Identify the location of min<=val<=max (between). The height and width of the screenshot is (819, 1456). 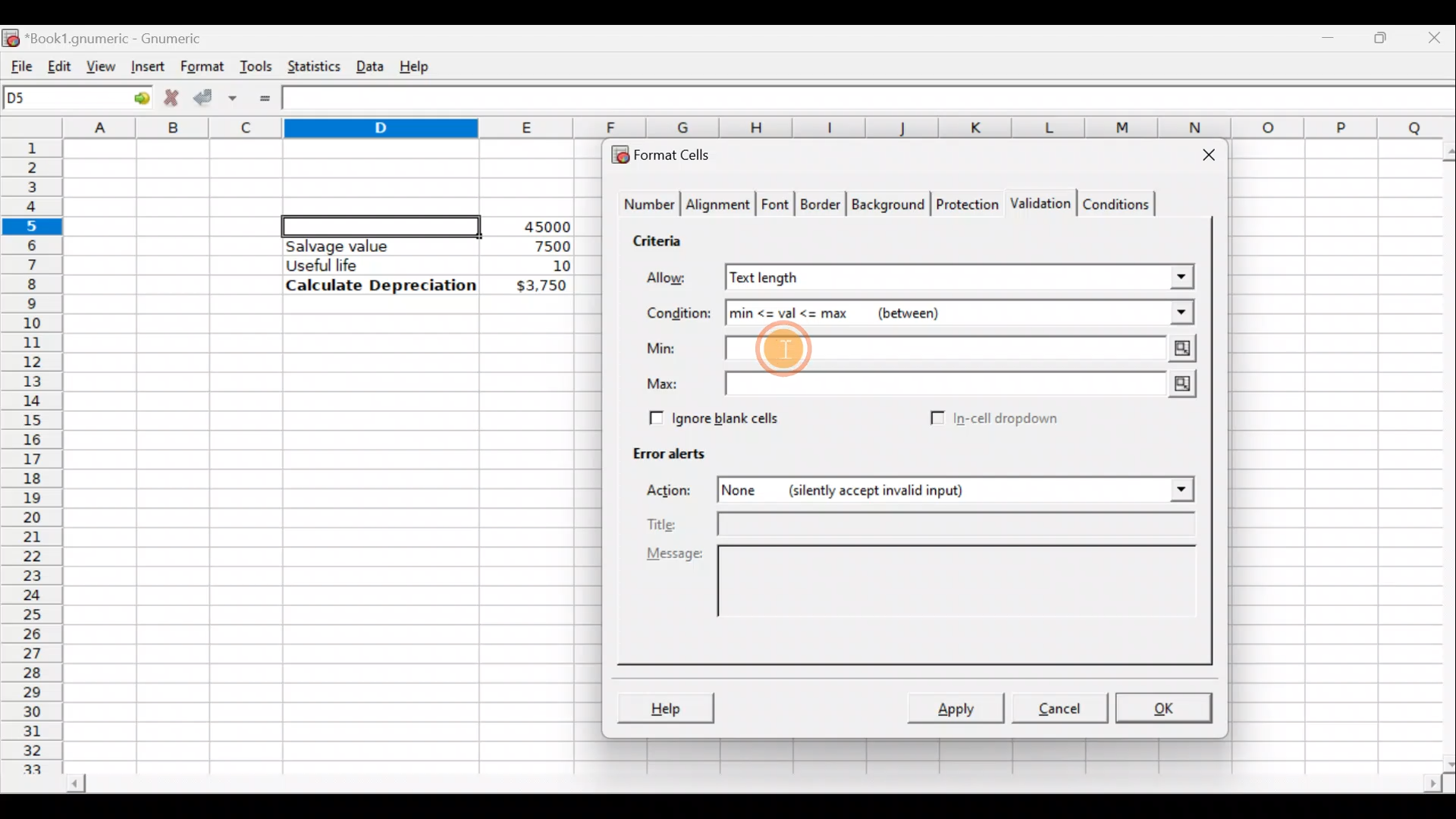
(908, 311).